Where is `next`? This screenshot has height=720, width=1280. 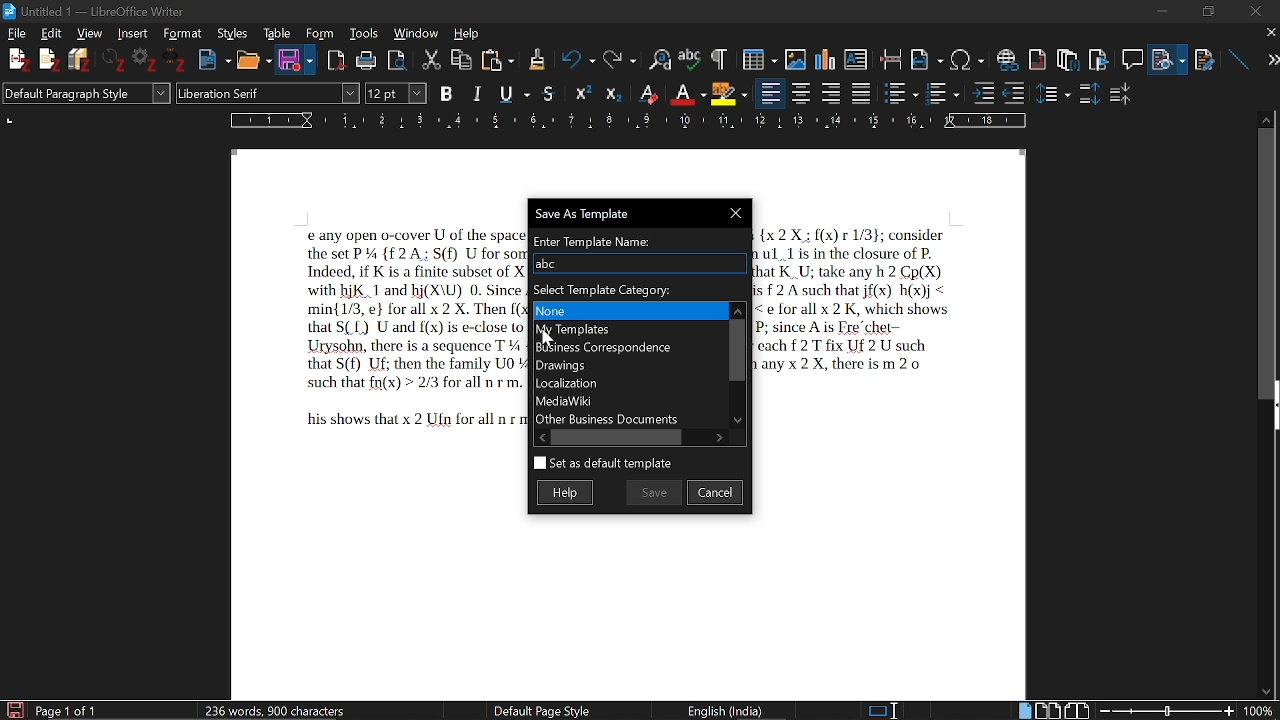 next is located at coordinates (1266, 60).